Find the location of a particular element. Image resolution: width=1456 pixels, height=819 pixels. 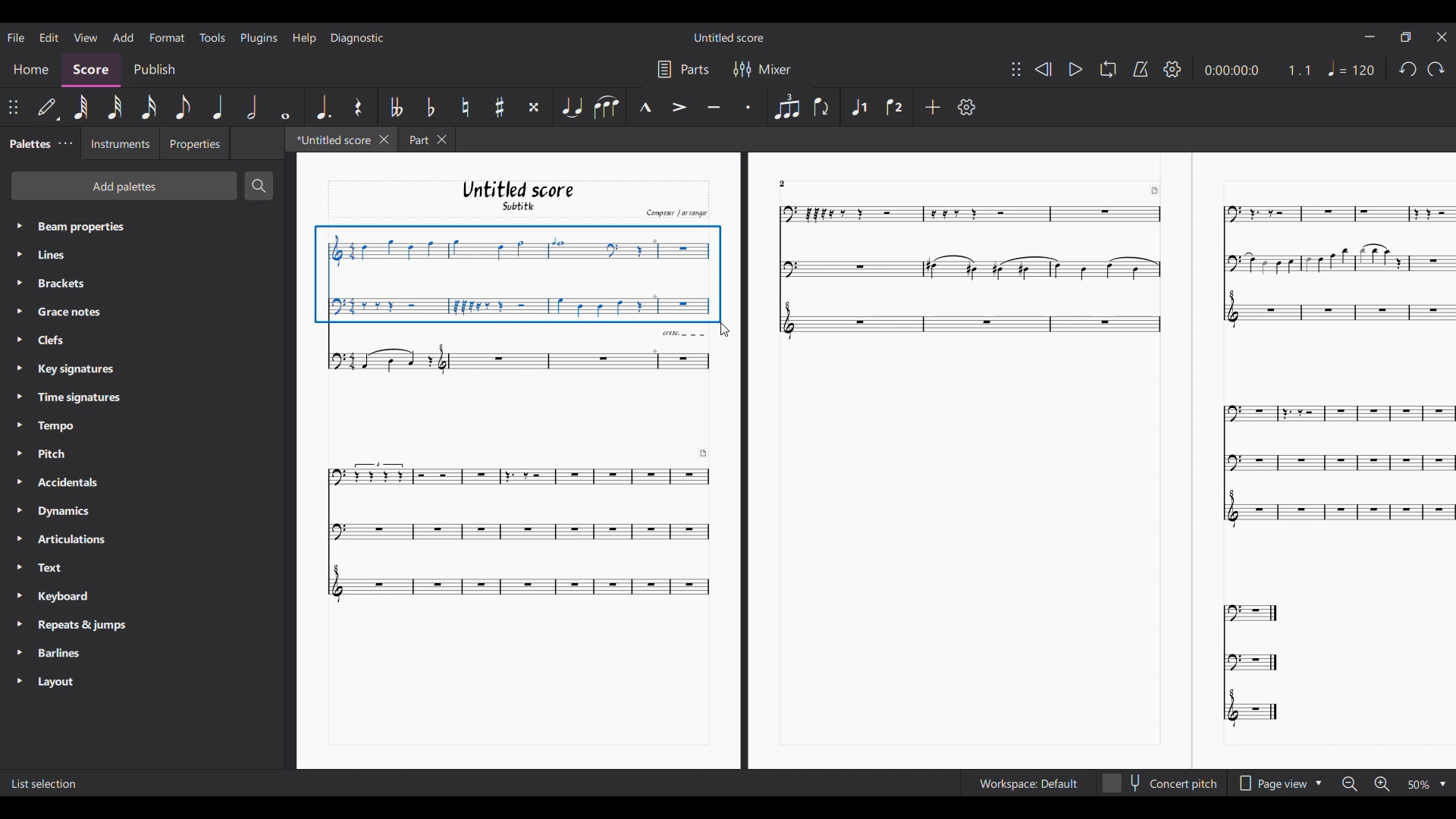

Current duration and ratio is located at coordinates (1258, 70).